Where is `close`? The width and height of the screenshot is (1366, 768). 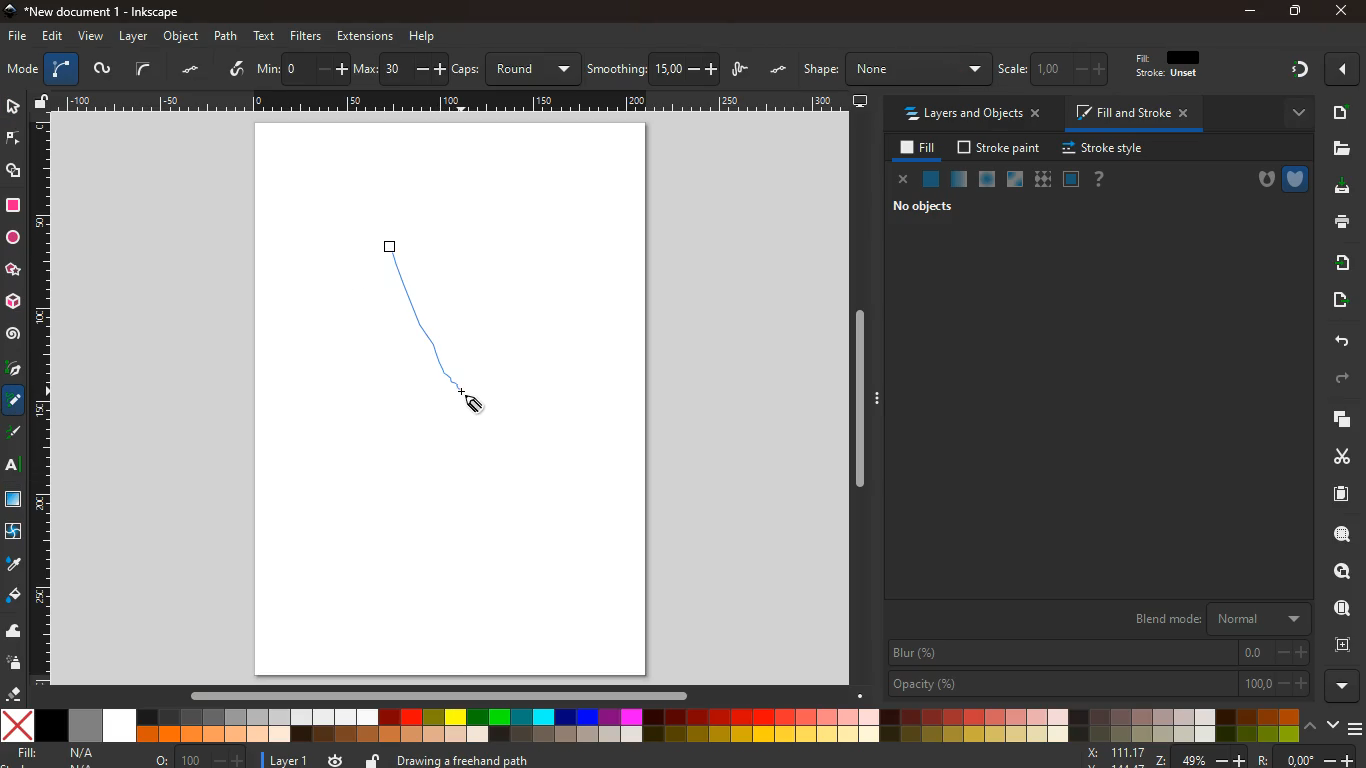 close is located at coordinates (1340, 12).